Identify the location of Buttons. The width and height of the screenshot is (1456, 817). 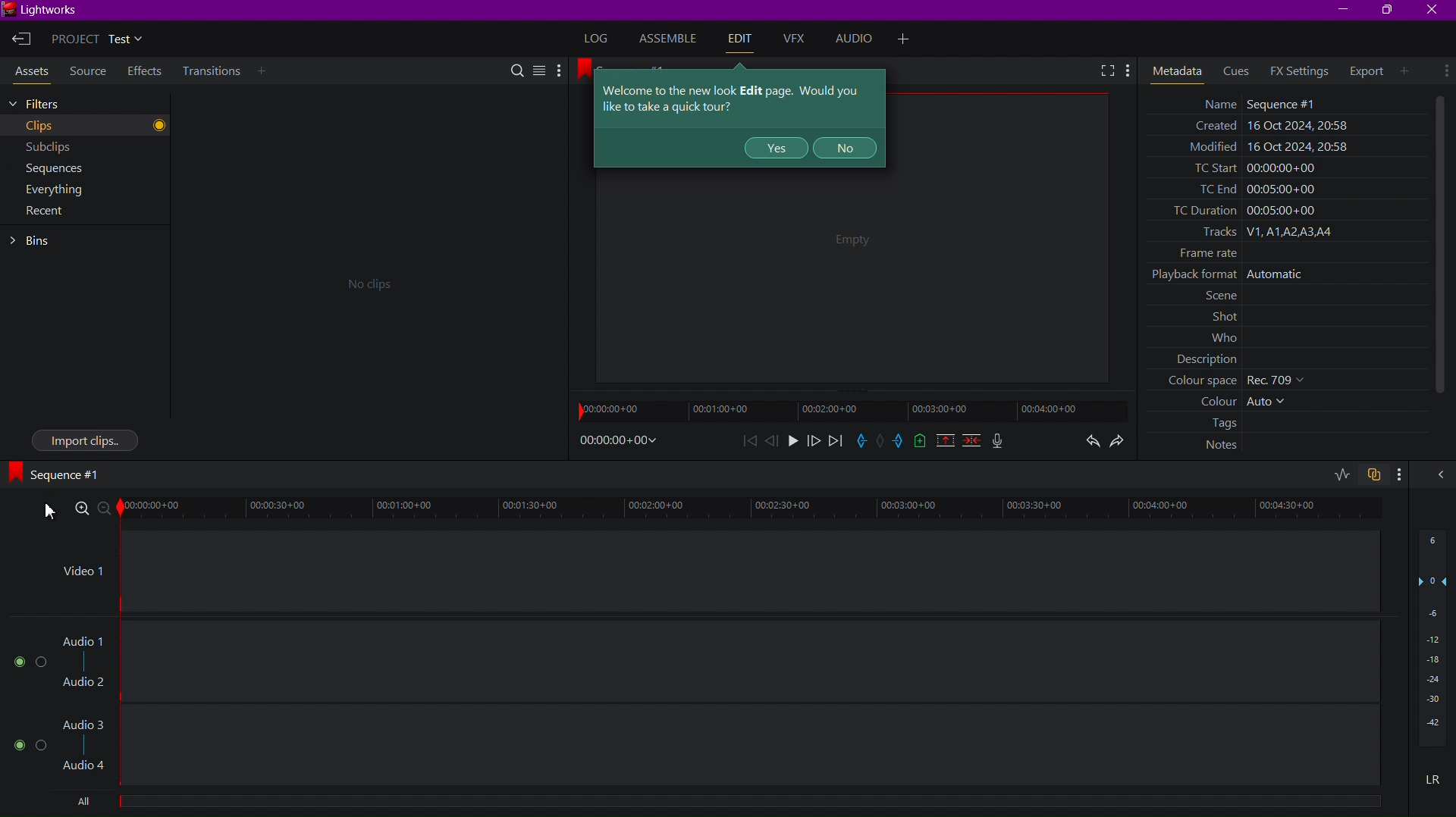
(33, 746).